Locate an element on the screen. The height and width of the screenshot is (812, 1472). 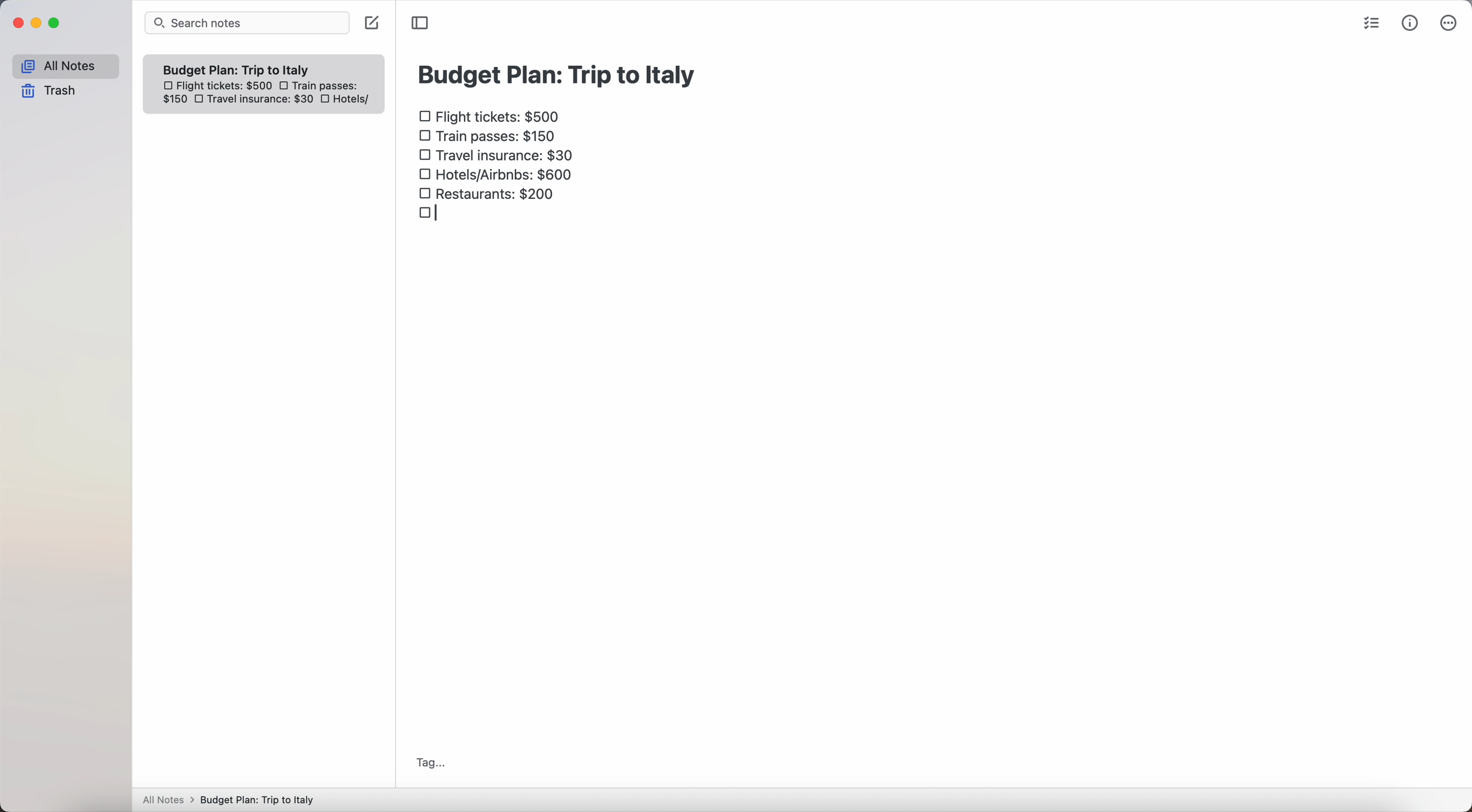
tag is located at coordinates (431, 763).